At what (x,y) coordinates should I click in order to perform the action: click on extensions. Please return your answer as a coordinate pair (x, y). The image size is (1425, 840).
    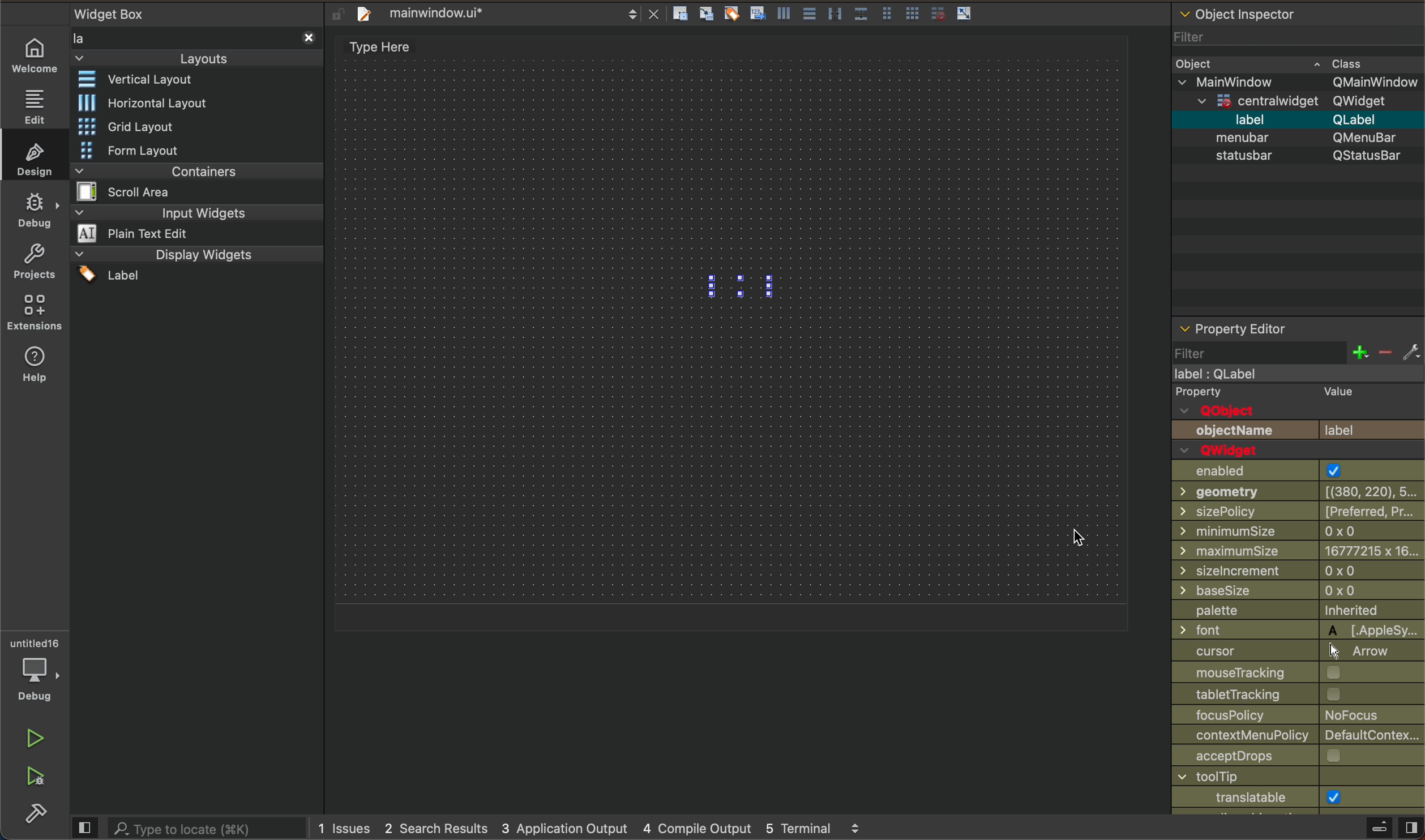
    Looking at the image, I should click on (35, 315).